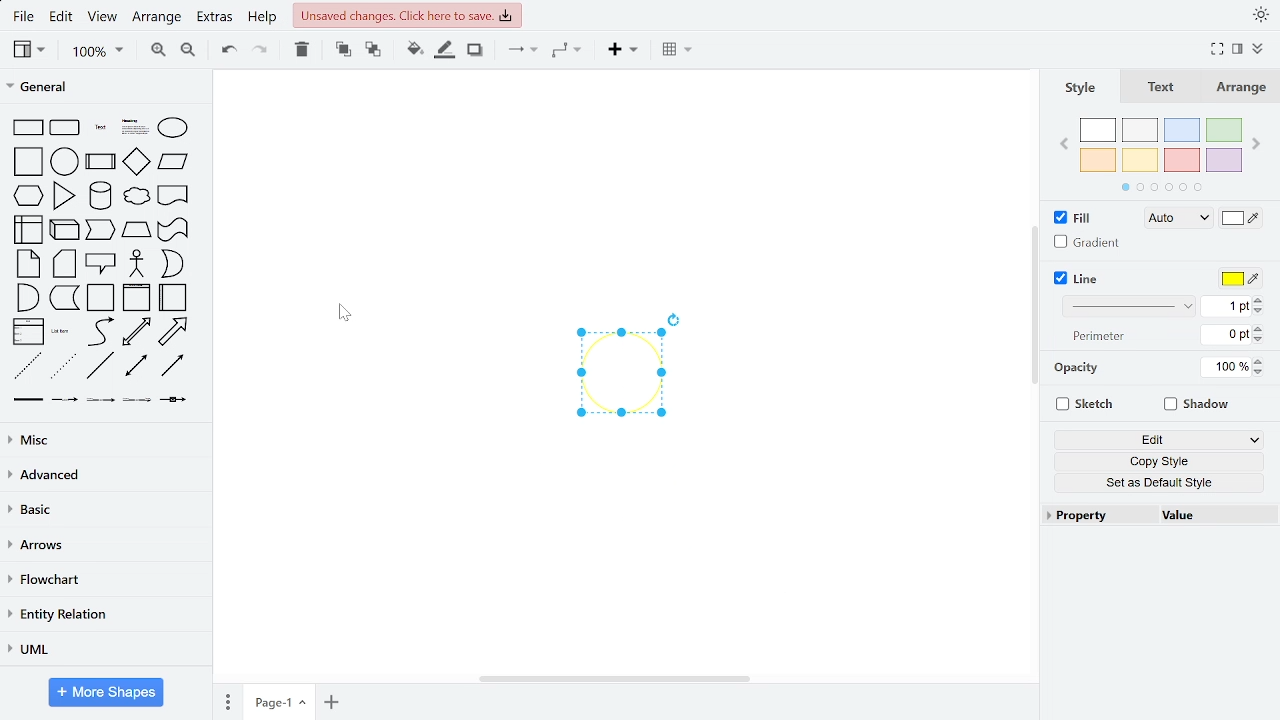  What do you see at coordinates (63, 365) in the screenshot?
I see `dotted line` at bounding box center [63, 365].